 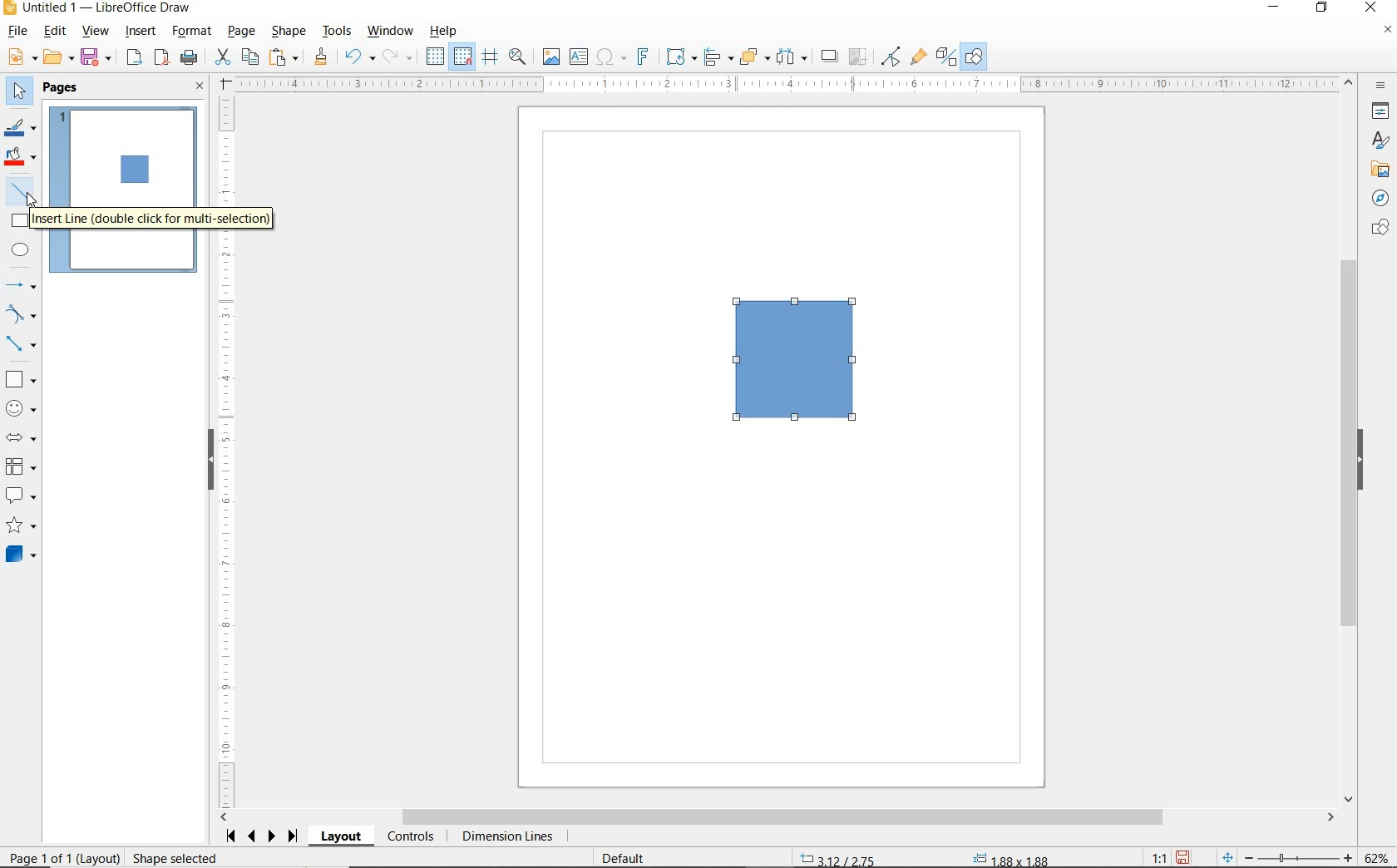 I want to click on PAGES, so click(x=62, y=89).